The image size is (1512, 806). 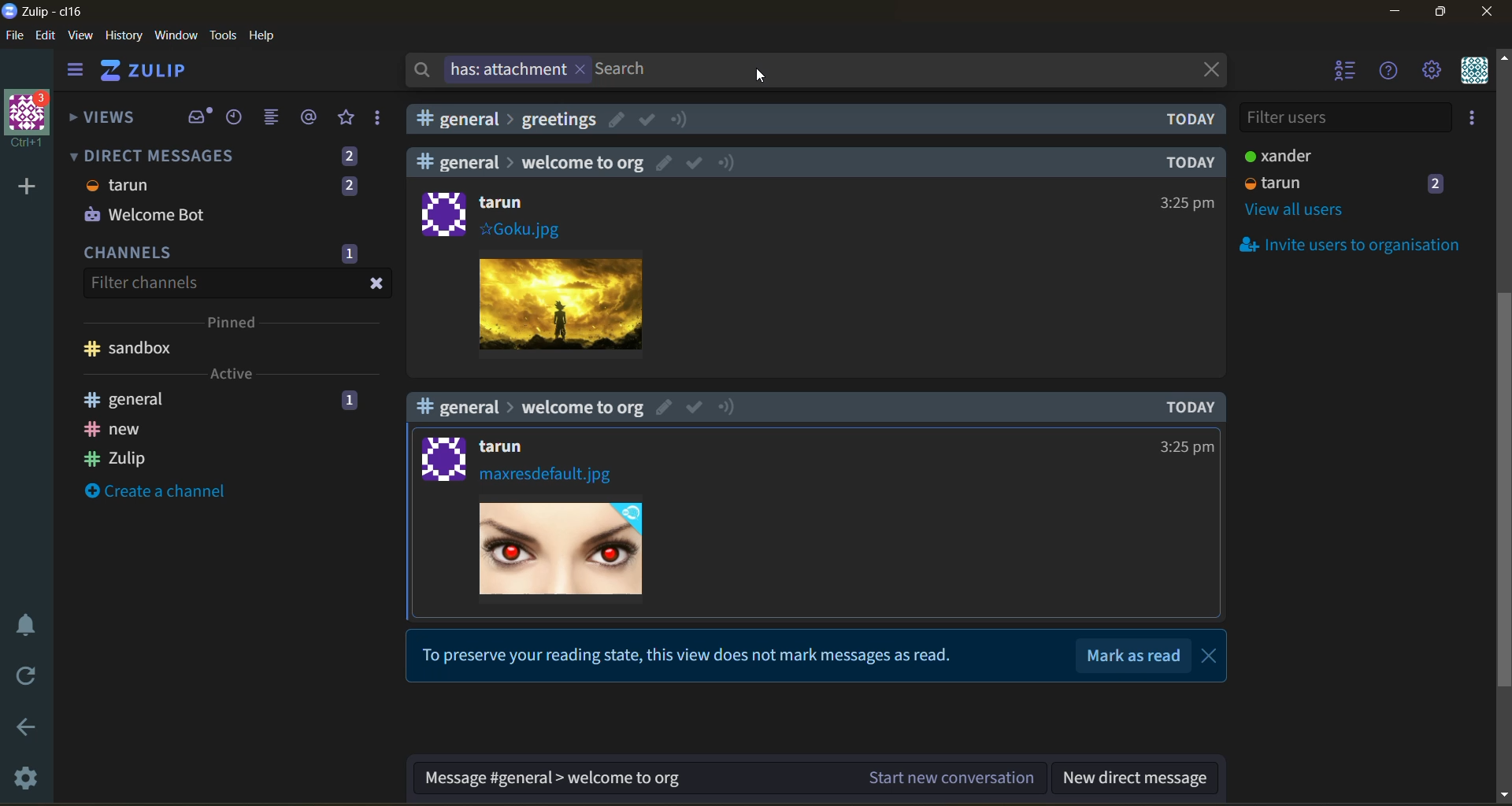 I want to click on help, so click(x=263, y=35).